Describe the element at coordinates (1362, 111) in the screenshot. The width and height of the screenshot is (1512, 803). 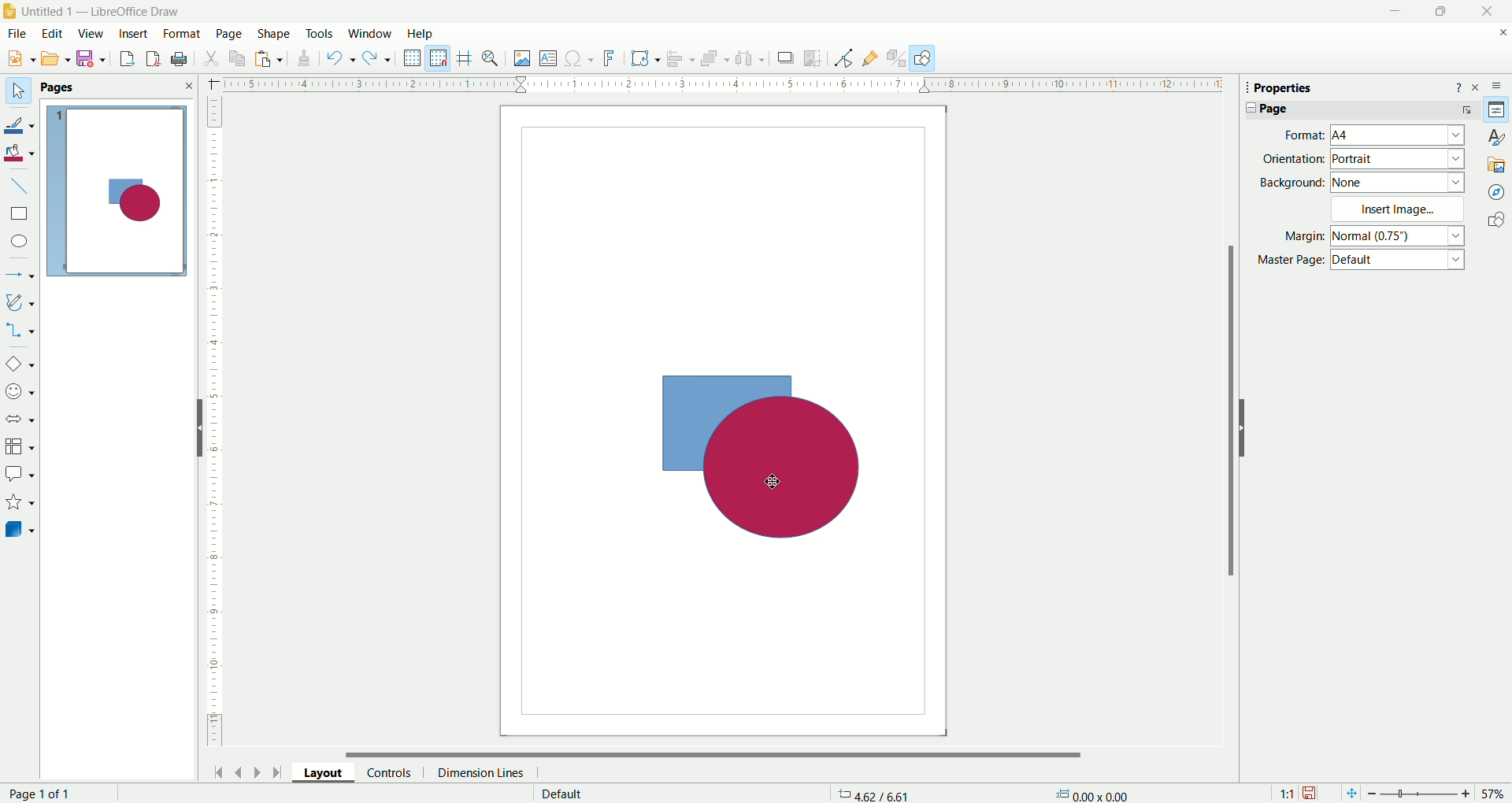
I see `page` at that location.